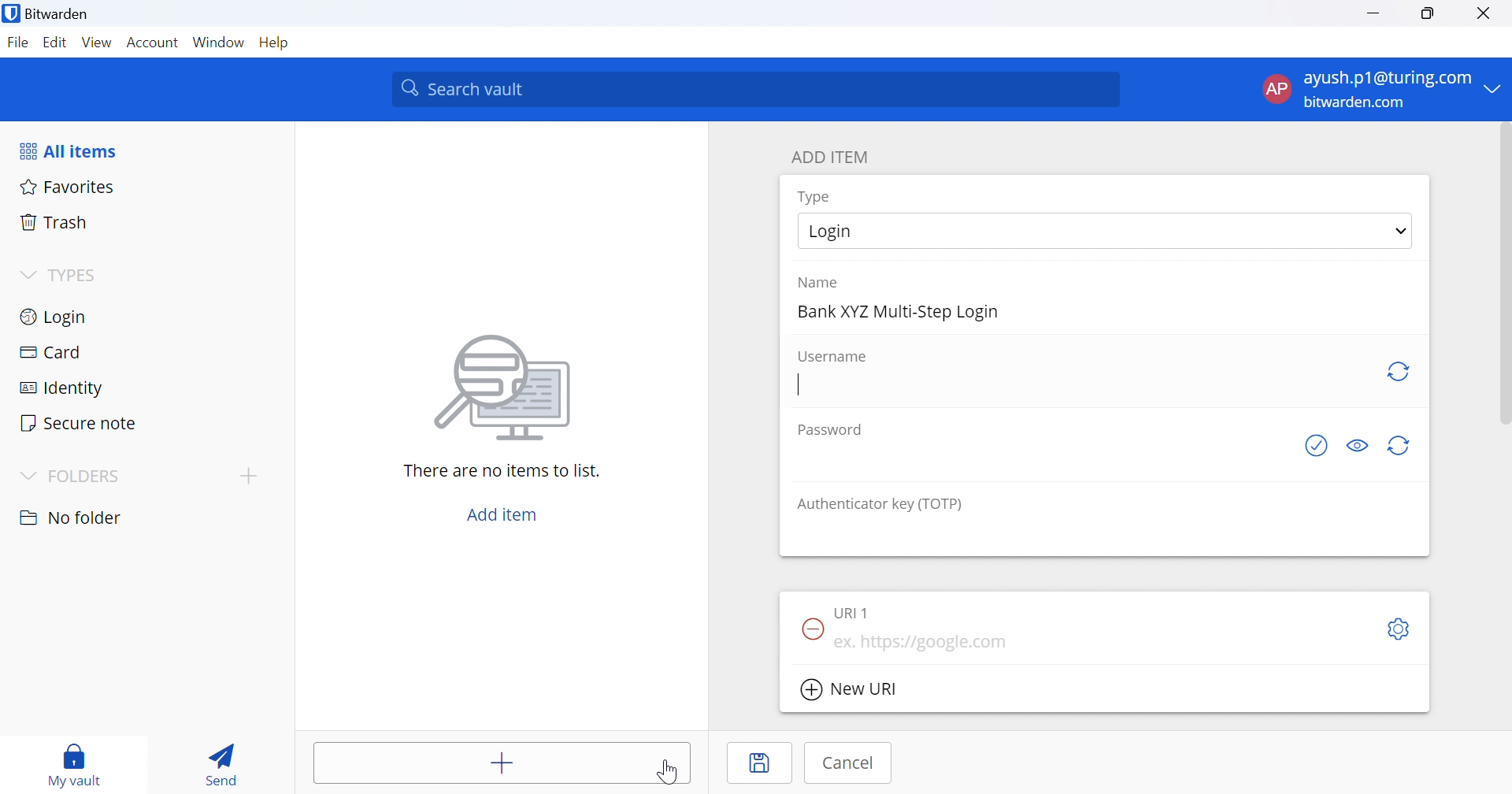 Image resolution: width=1512 pixels, height=794 pixels. Describe the element at coordinates (1401, 374) in the screenshot. I see `Regenerate username` at that location.